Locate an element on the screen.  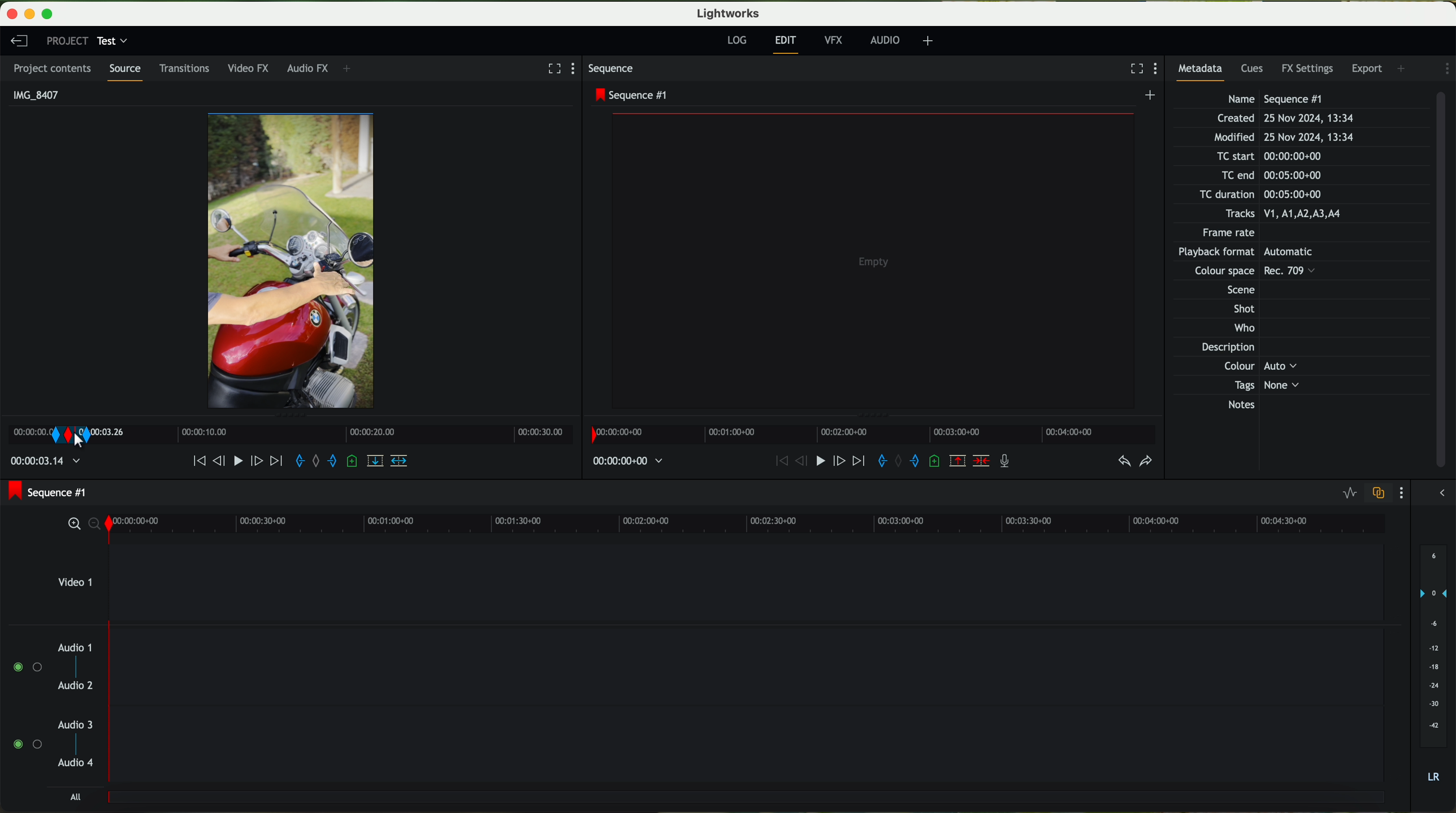
transition is located at coordinates (69, 434).